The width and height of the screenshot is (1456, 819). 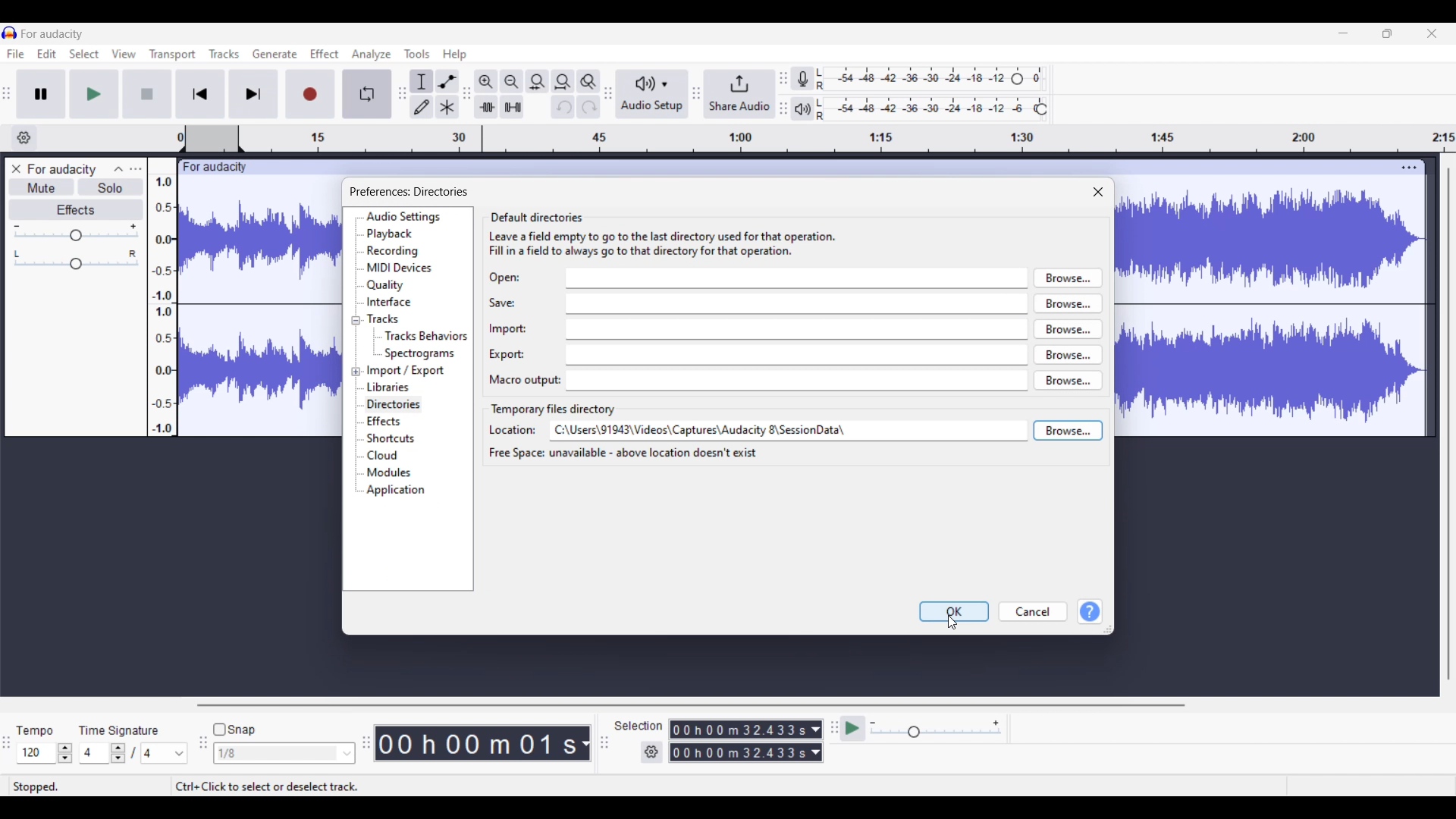 What do you see at coordinates (52, 33) in the screenshot?
I see `Project name` at bounding box center [52, 33].